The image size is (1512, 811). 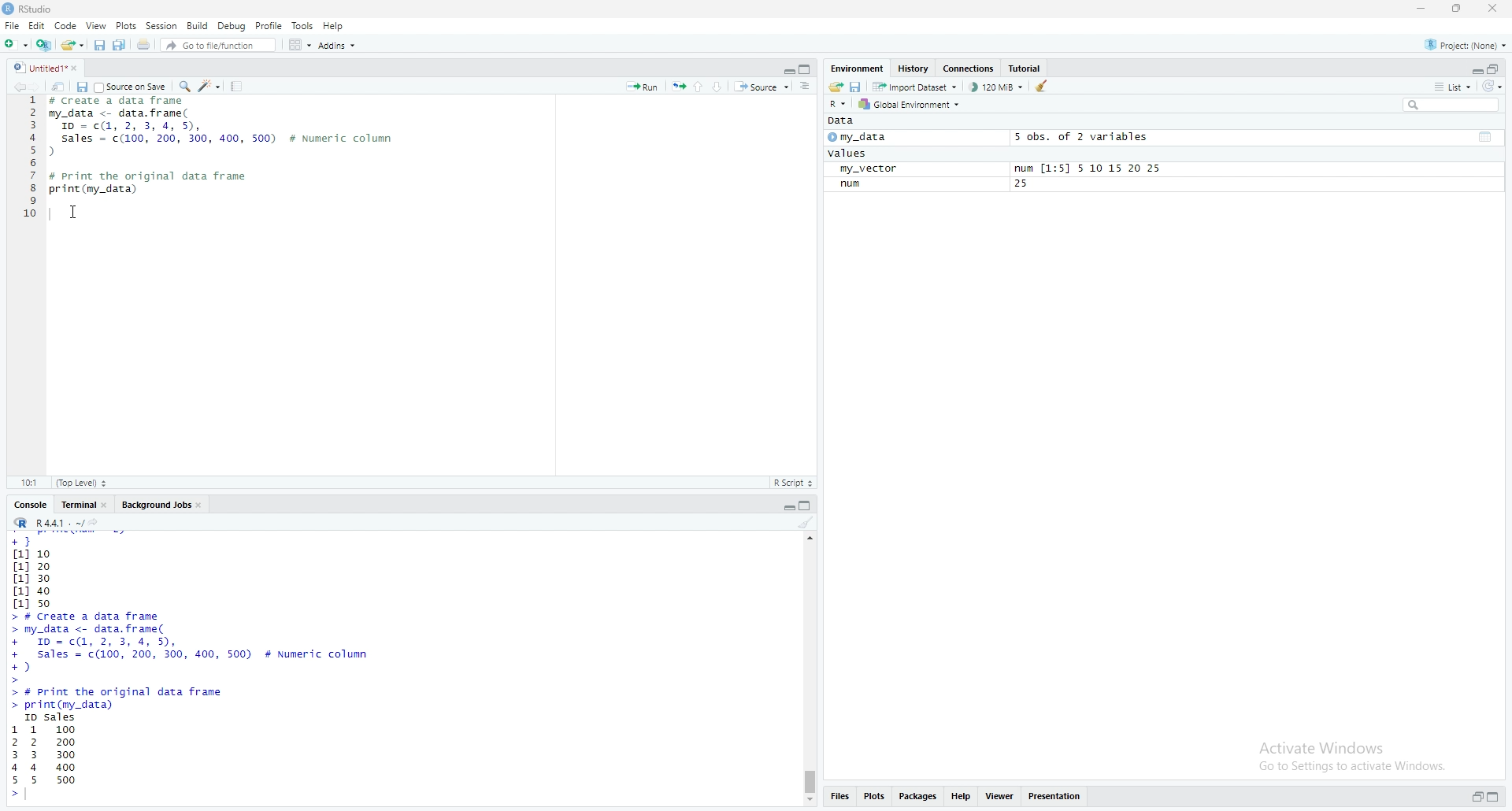 What do you see at coordinates (798, 483) in the screenshot?
I see `R Script` at bounding box center [798, 483].